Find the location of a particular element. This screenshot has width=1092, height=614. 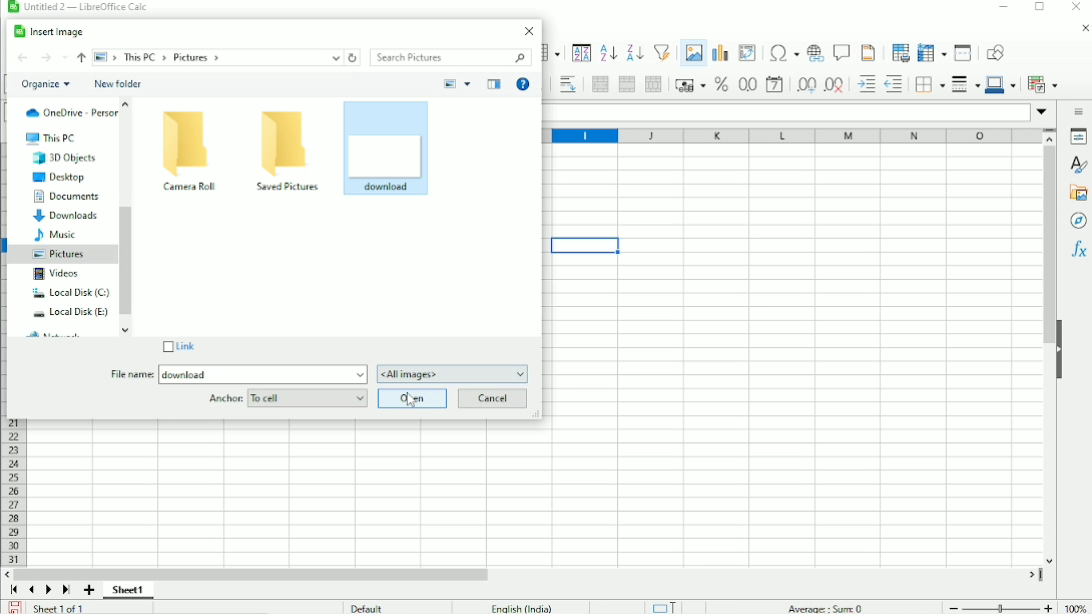

Merge and center is located at coordinates (600, 84).